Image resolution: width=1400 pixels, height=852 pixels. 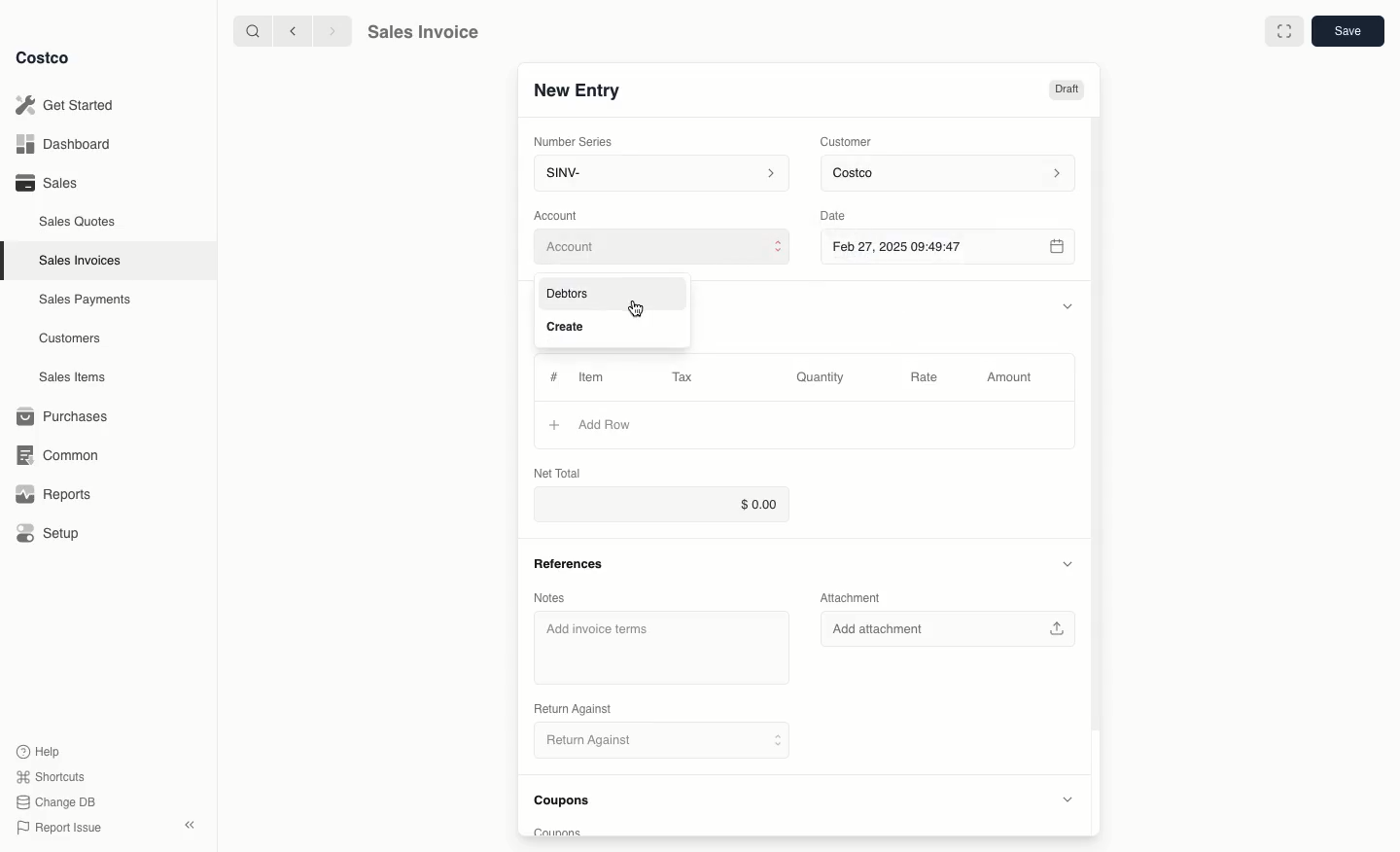 What do you see at coordinates (568, 803) in the screenshot?
I see `Coupons` at bounding box center [568, 803].